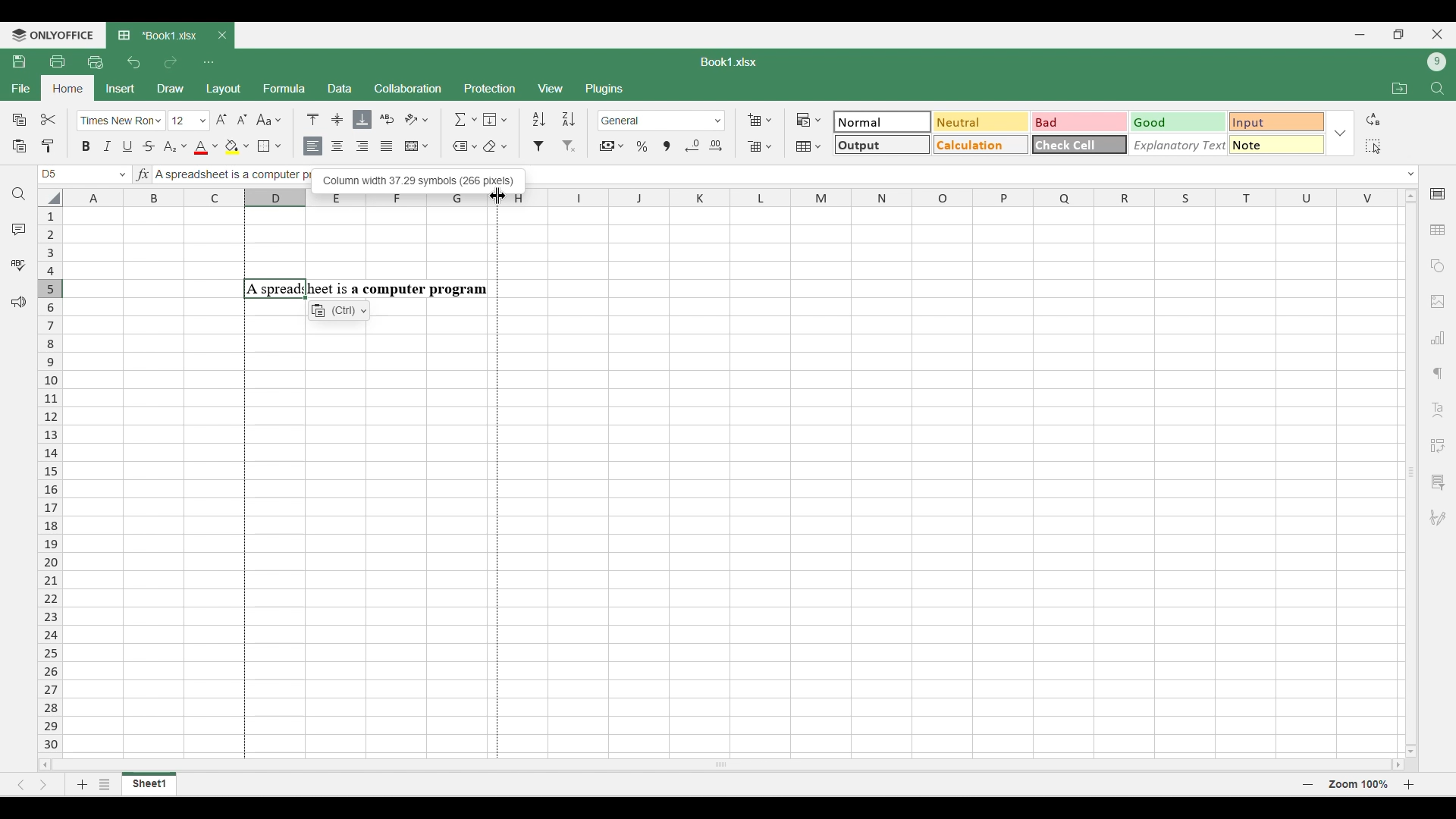 This screenshot has width=1456, height=819. Describe the element at coordinates (1399, 34) in the screenshot. I see `Show in smaller tab` at that location.